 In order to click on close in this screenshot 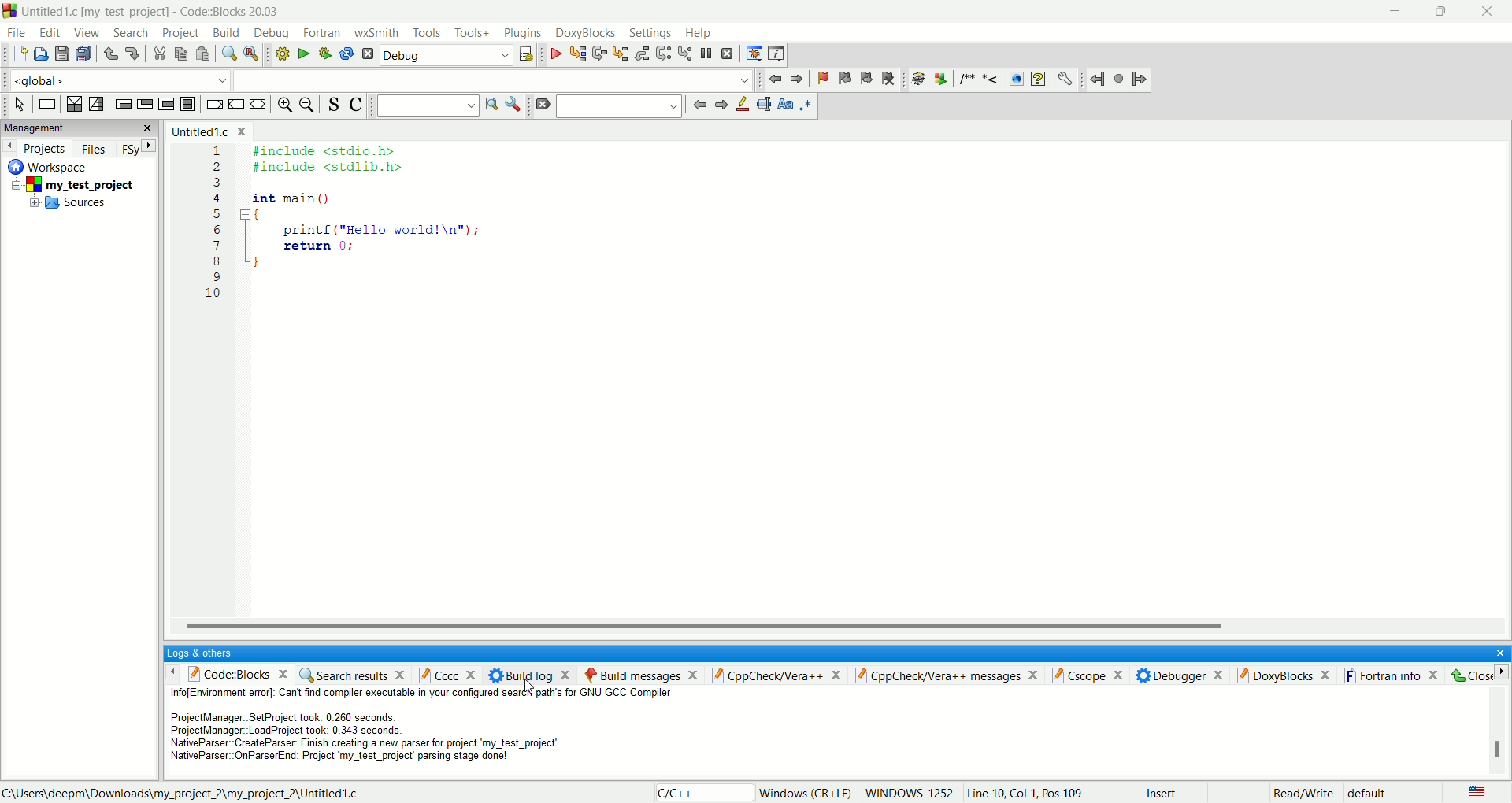, I will do `click(1495, 651)`.